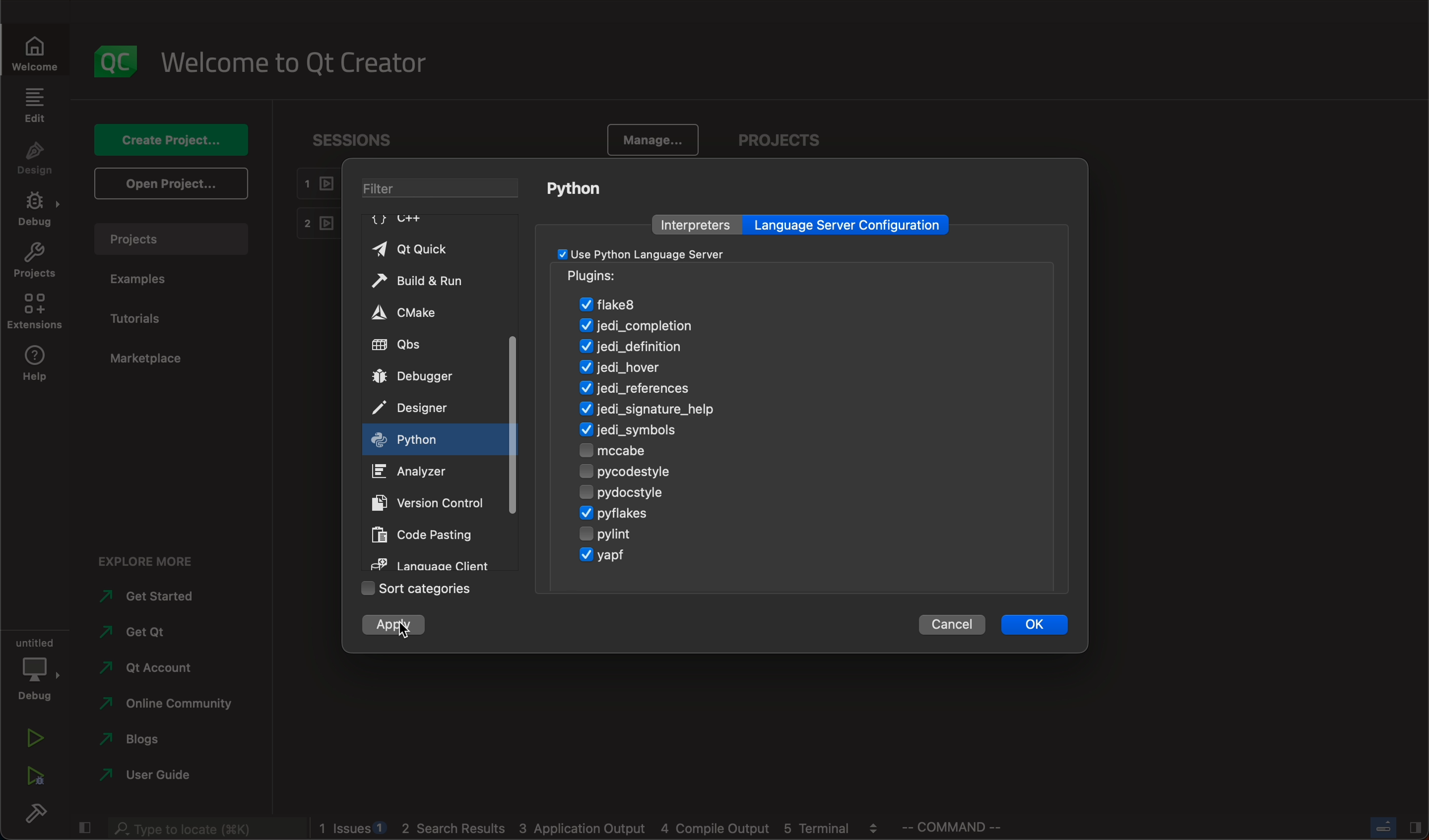 The image size is (1429, 840). What do you see at coordinates (653, 139) in the screenshot?
I see `manage` at bounding box center [653, 139].